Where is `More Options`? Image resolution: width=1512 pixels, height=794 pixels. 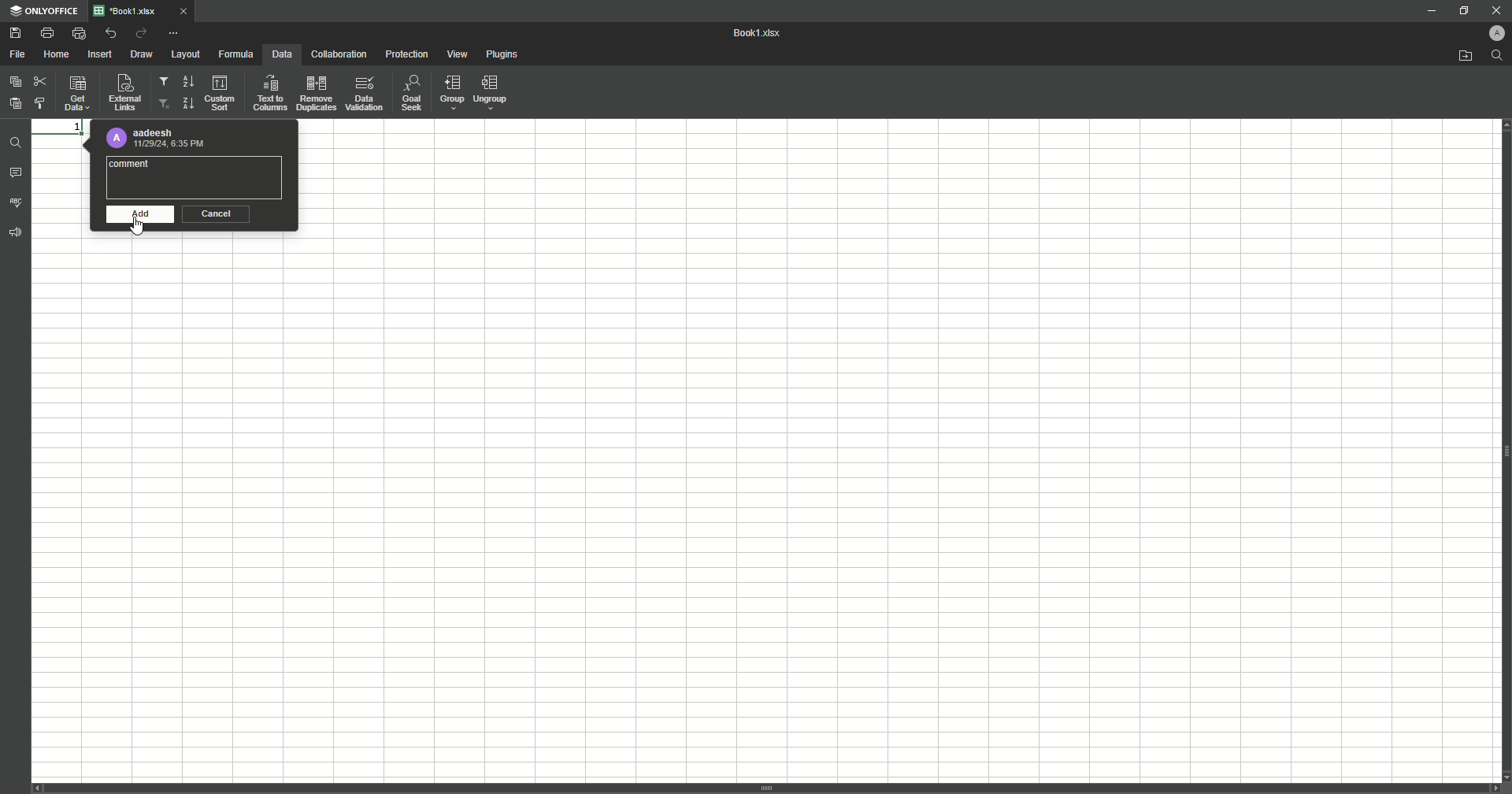
More Options is located at coordinates (176, 32).